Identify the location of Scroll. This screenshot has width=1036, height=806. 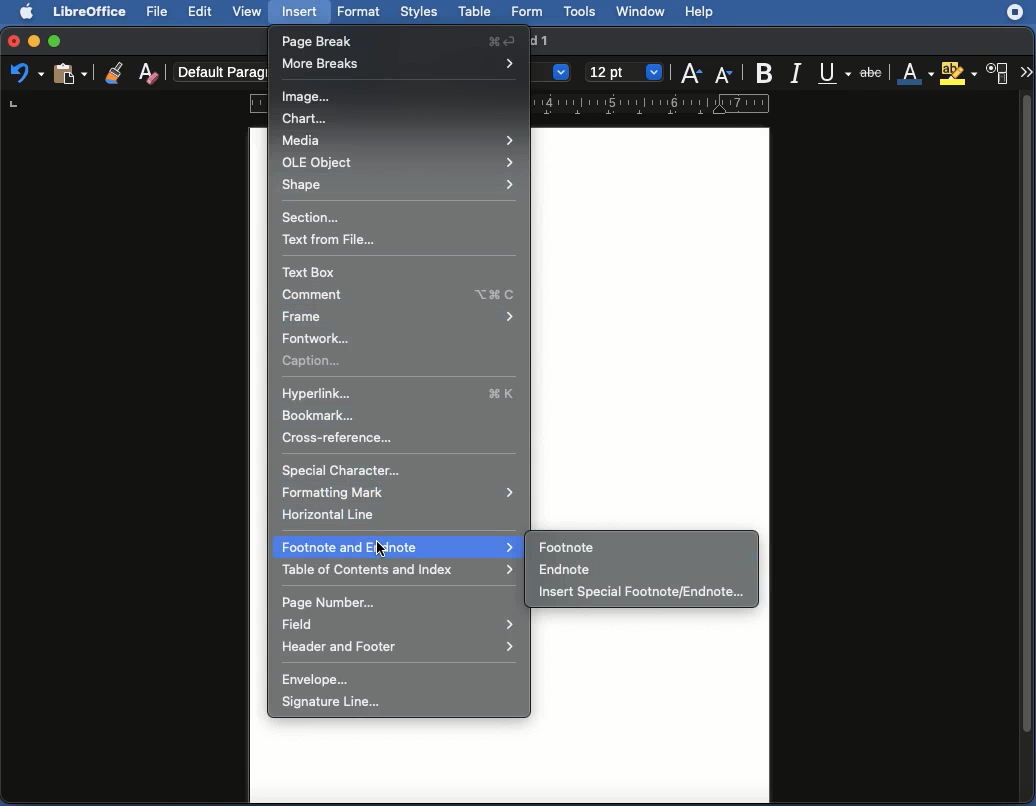
(1028, 449).